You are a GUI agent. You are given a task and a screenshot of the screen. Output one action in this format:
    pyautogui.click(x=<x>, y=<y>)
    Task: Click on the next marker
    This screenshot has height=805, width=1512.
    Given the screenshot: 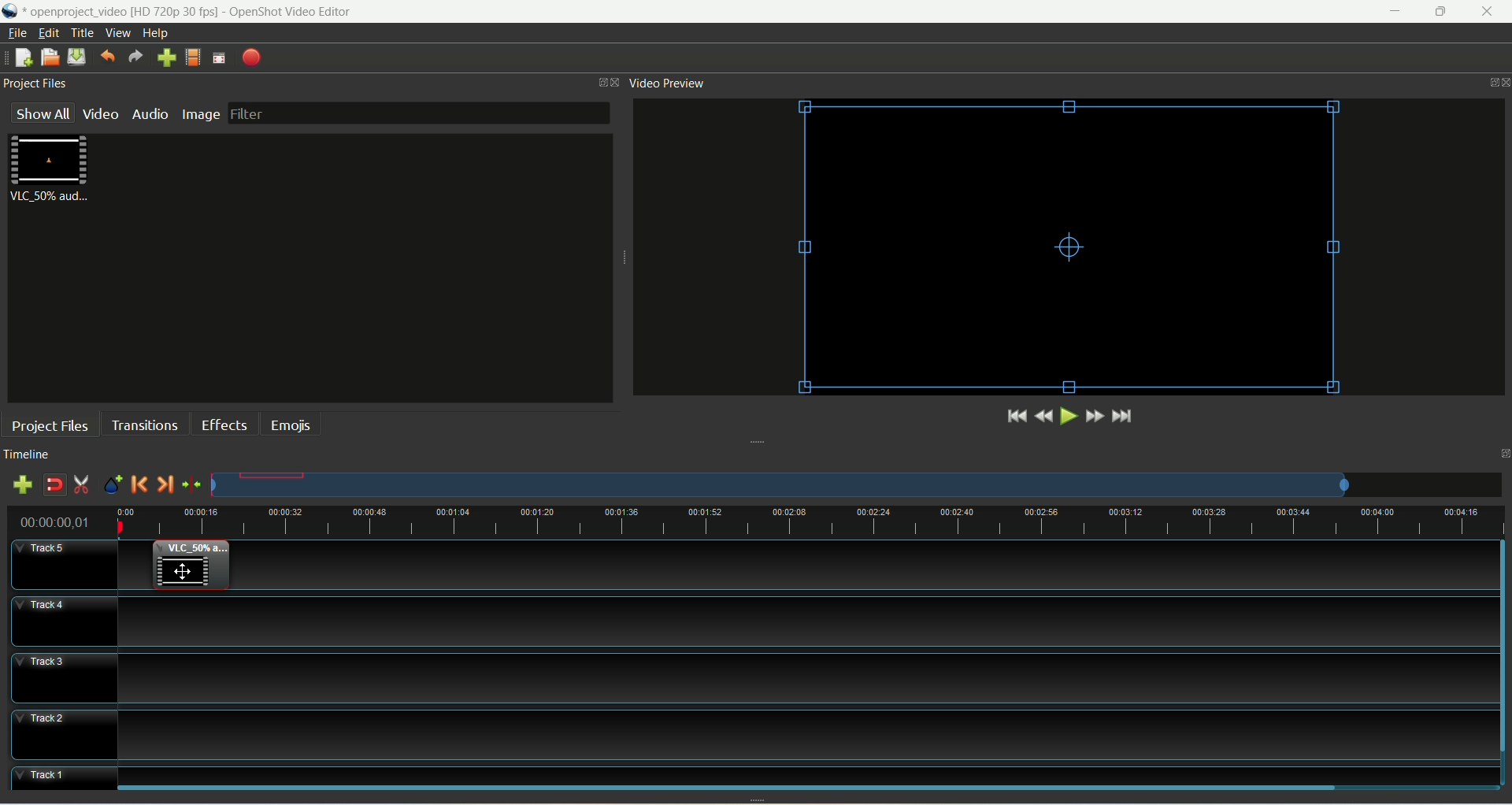 What is the action you would take?
    pyautogui.click(x=166, y=485)
    